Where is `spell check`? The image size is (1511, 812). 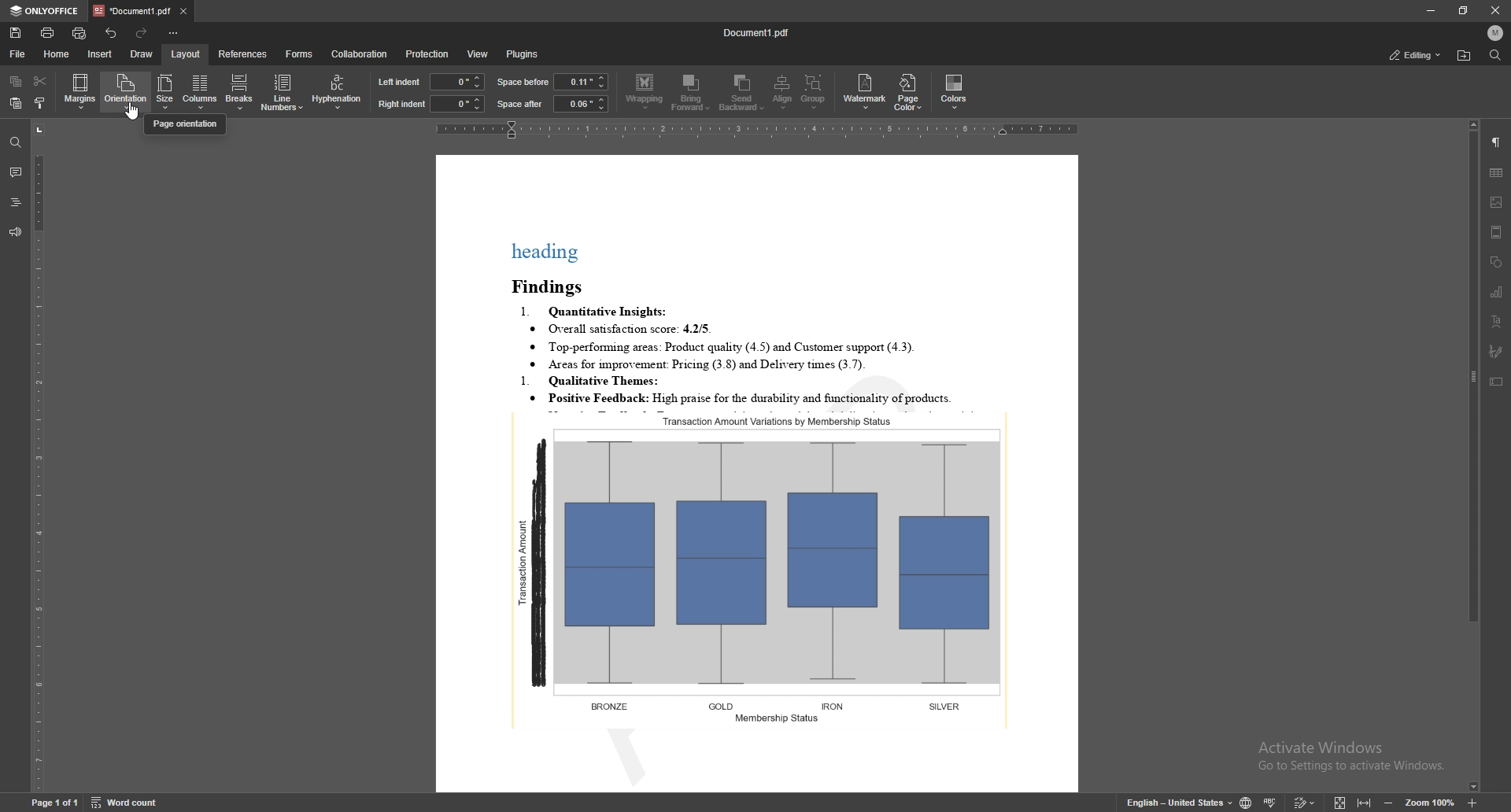 spell check is located at coordinates (1270, 801).